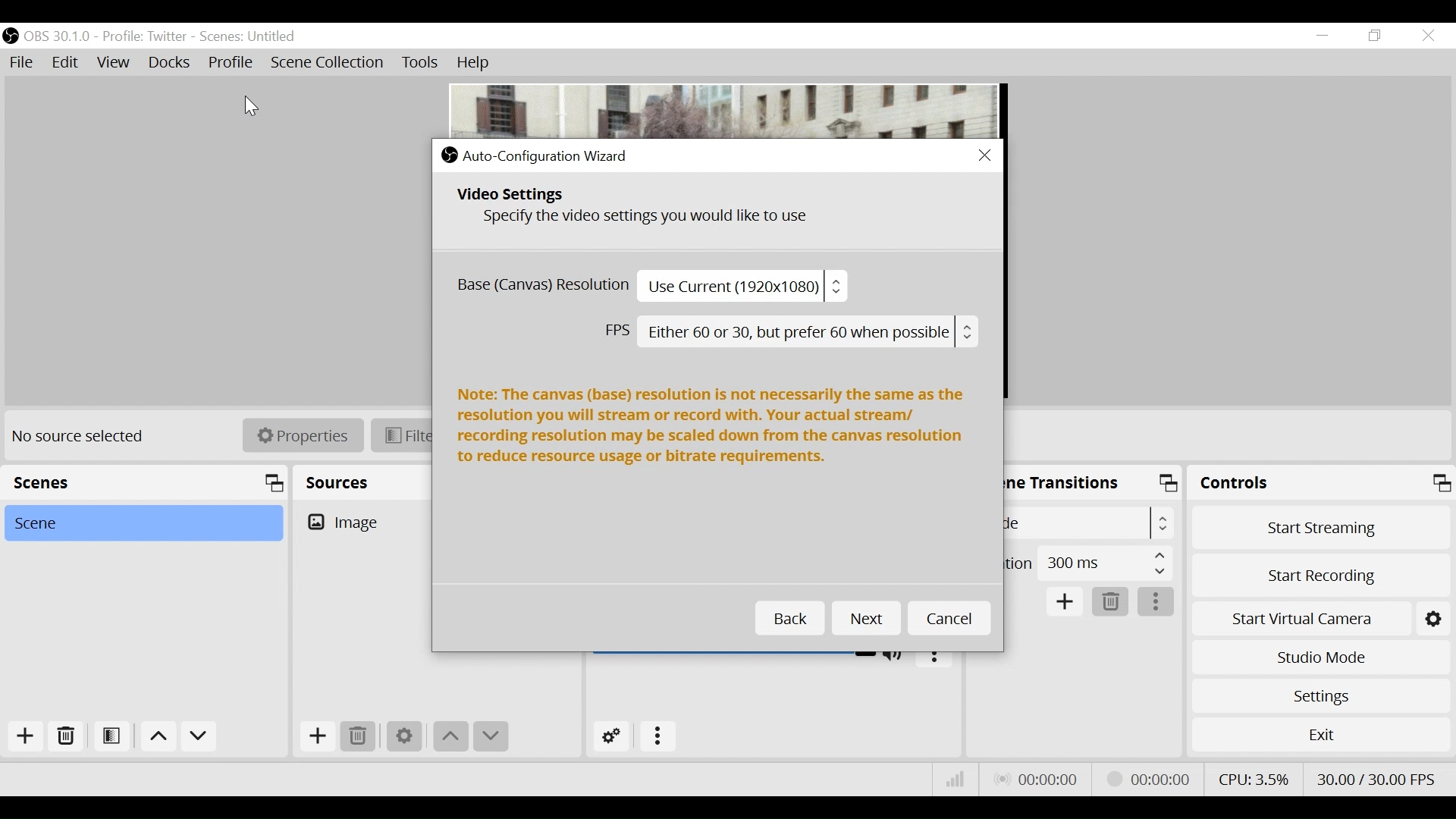  I want to click on Stream Status, so click(1150, 778).